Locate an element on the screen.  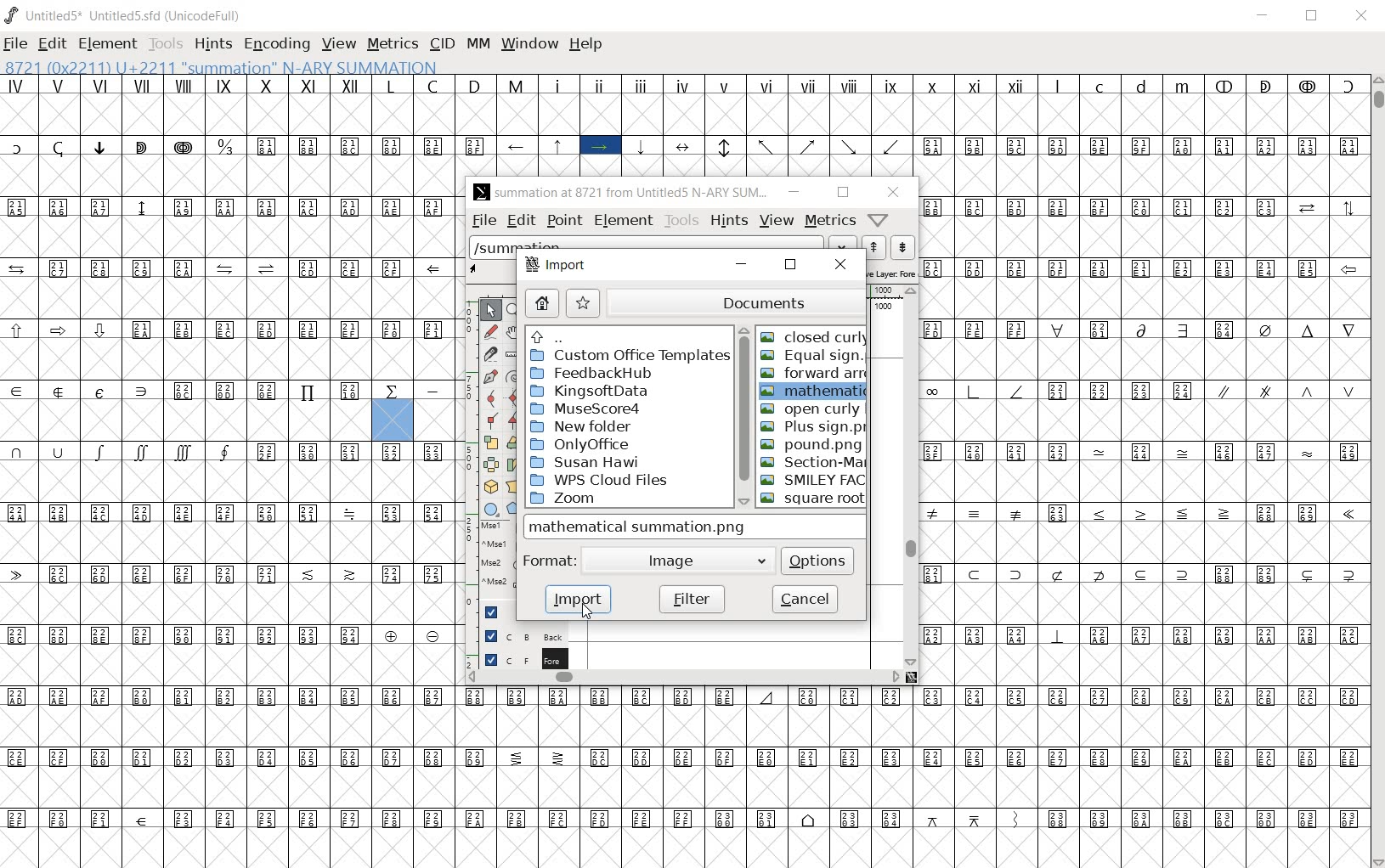
summation at 8721 from Untitled5 N-ARY SUM... is located at coordinates (622, 192).